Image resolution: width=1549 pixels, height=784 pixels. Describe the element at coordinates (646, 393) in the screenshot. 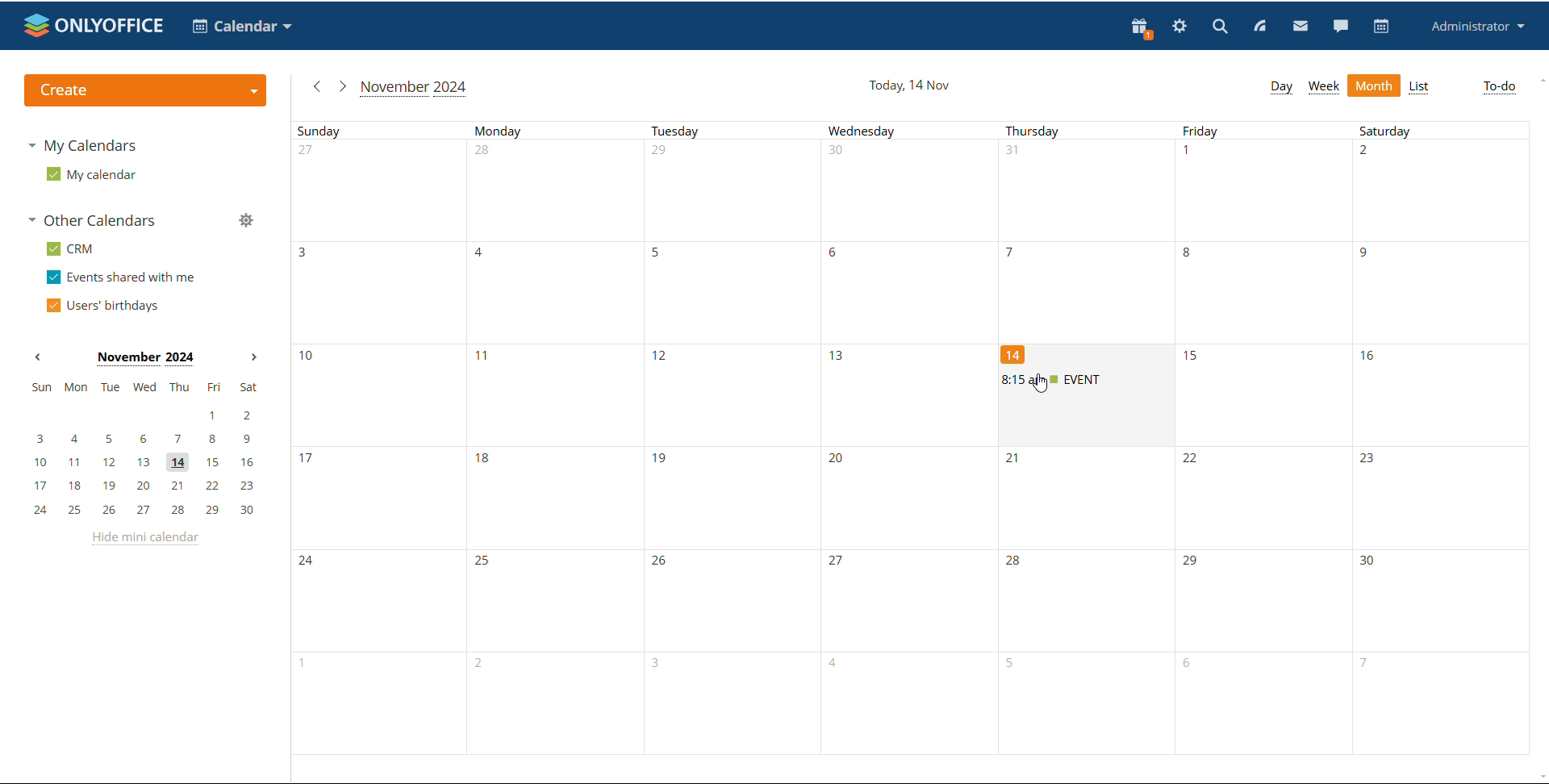

I see `10, 11, 12, 13` at that location.